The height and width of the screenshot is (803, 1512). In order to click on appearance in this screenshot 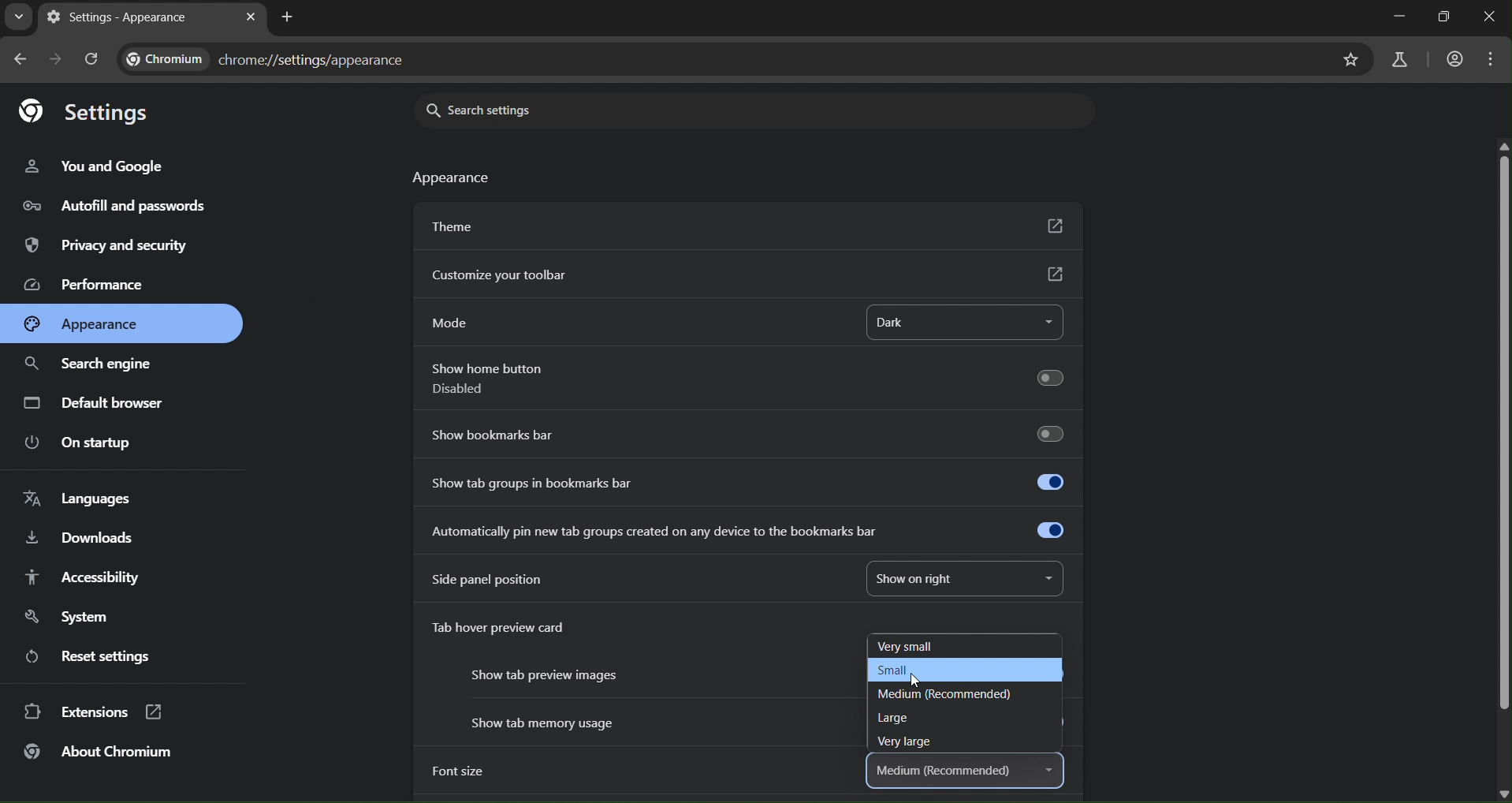, I will do `click(449, 179)`.